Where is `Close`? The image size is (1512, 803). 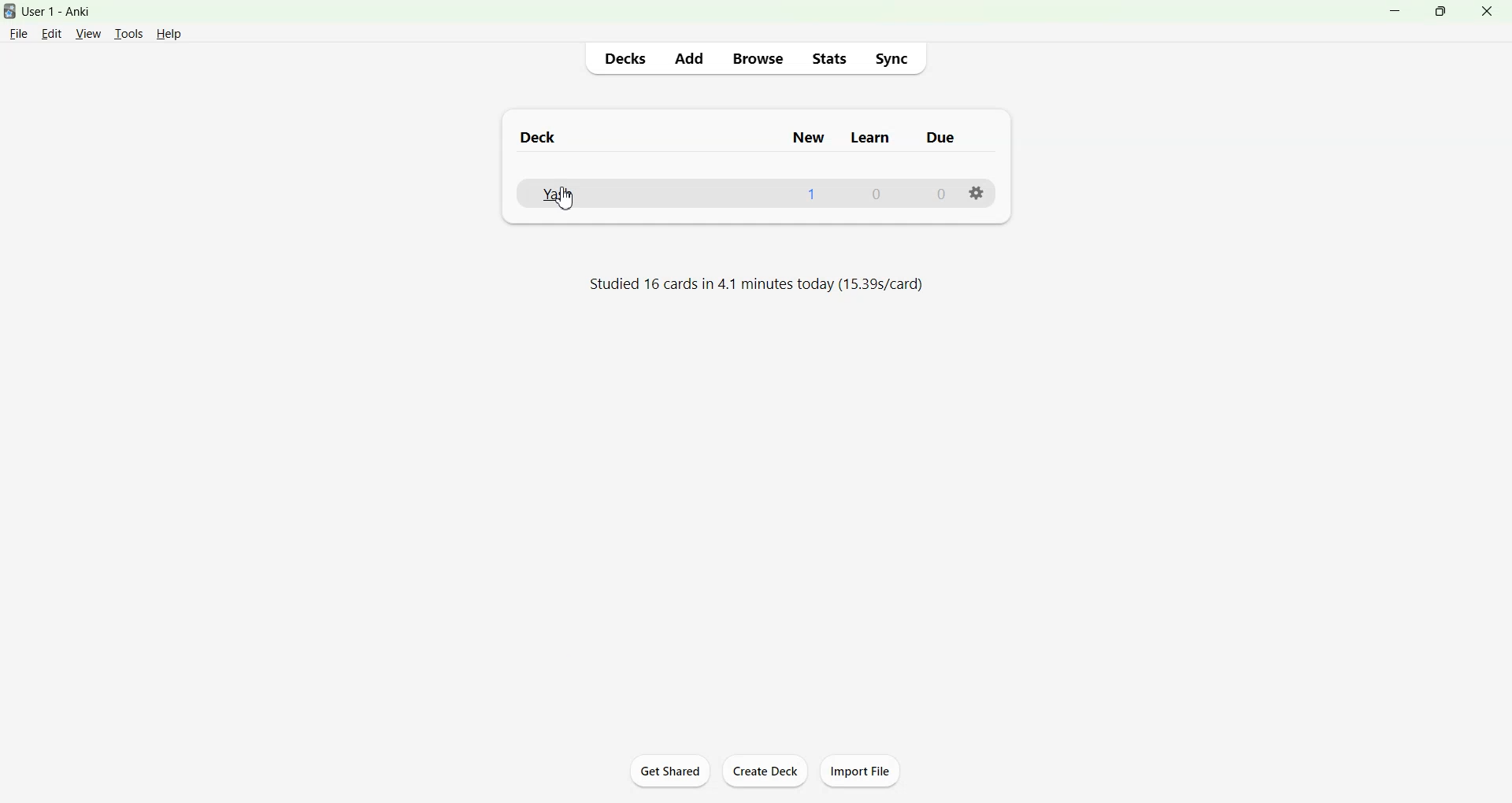
Close is located at coordinates (1486, 11).